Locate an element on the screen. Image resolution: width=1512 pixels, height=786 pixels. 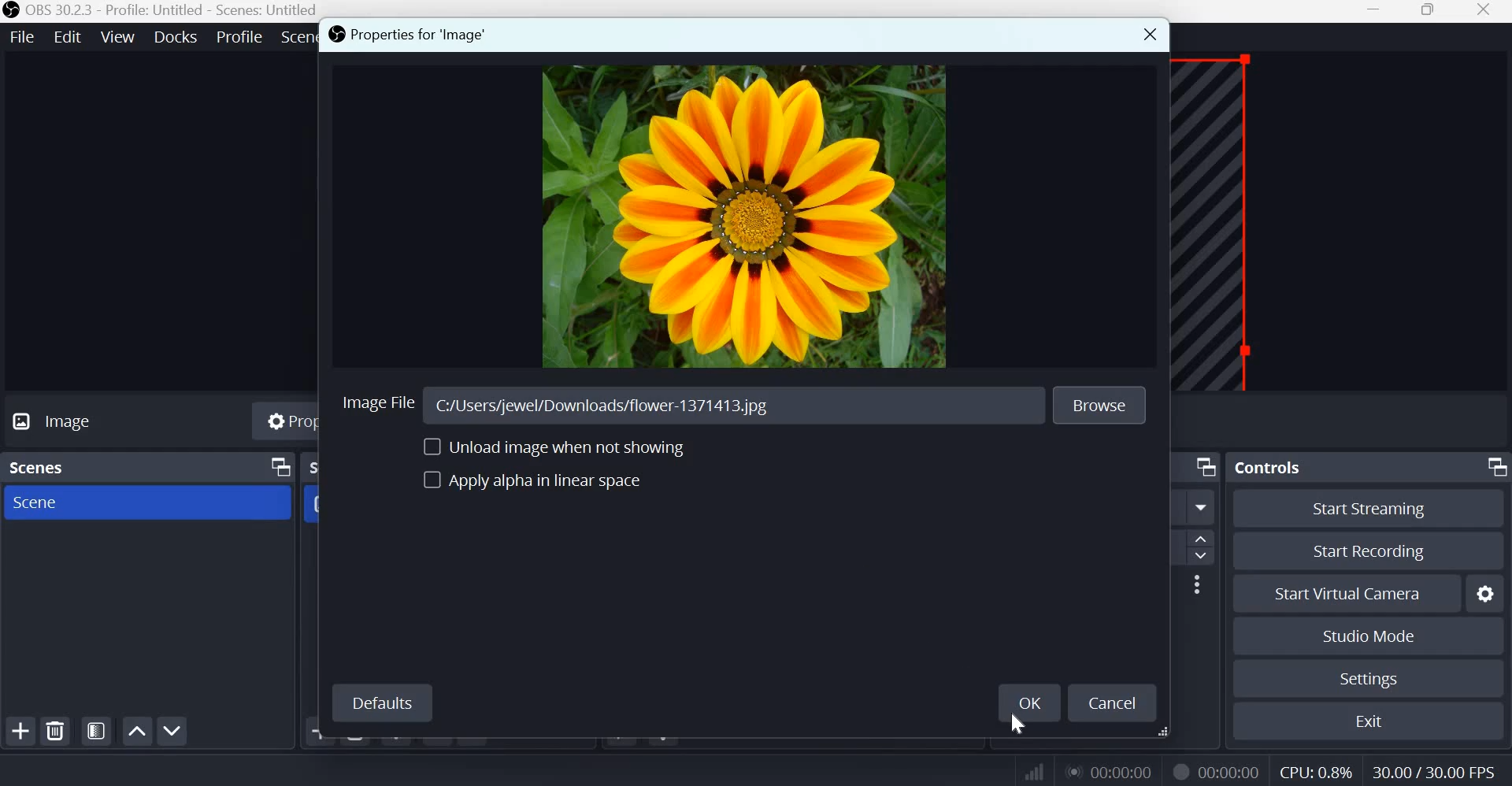
Dock Options icon is located at coordinates (1206, 467).